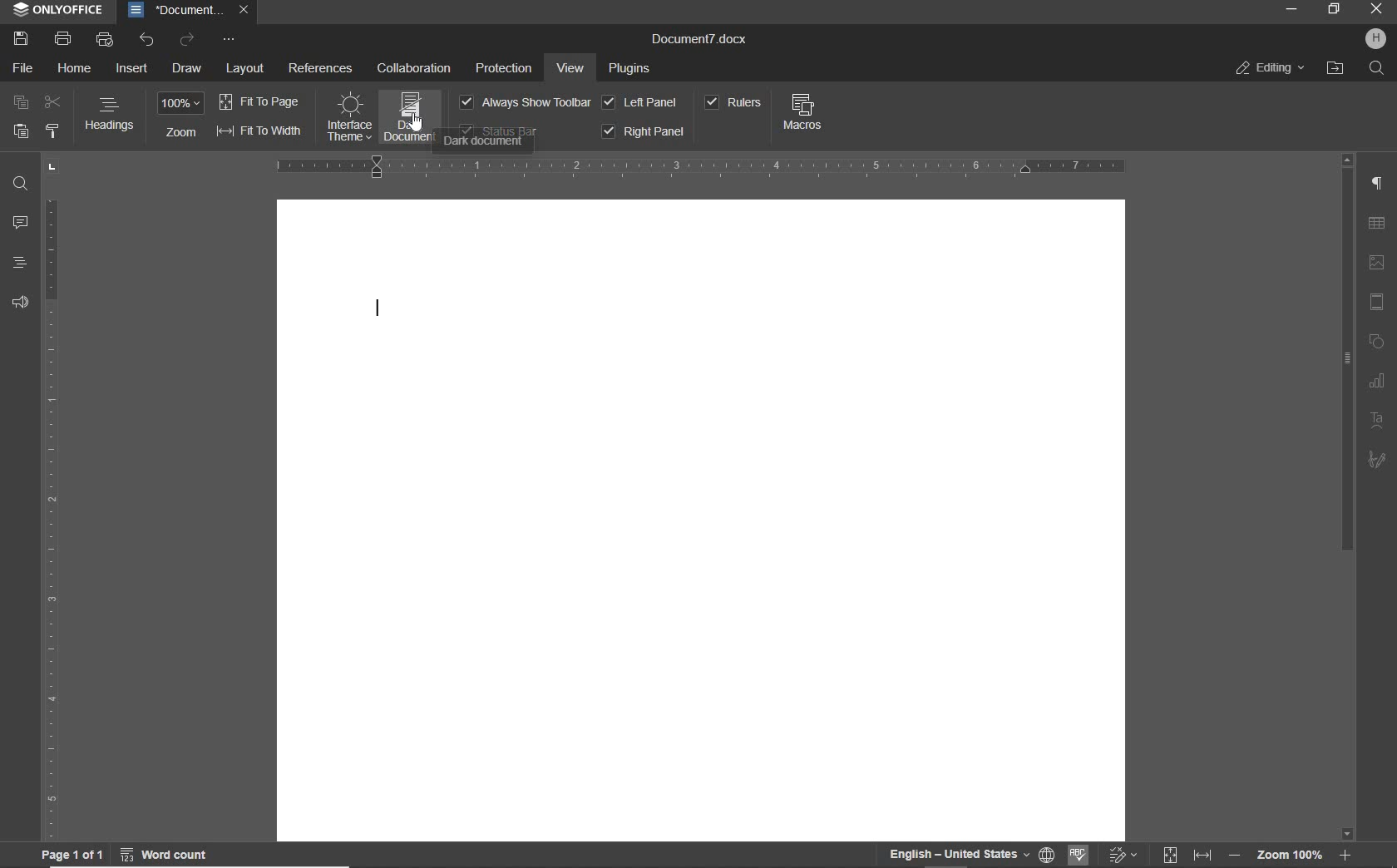  Describe the element at coordinates (706, 167) in the screenshot. I see `RULER` at that location.